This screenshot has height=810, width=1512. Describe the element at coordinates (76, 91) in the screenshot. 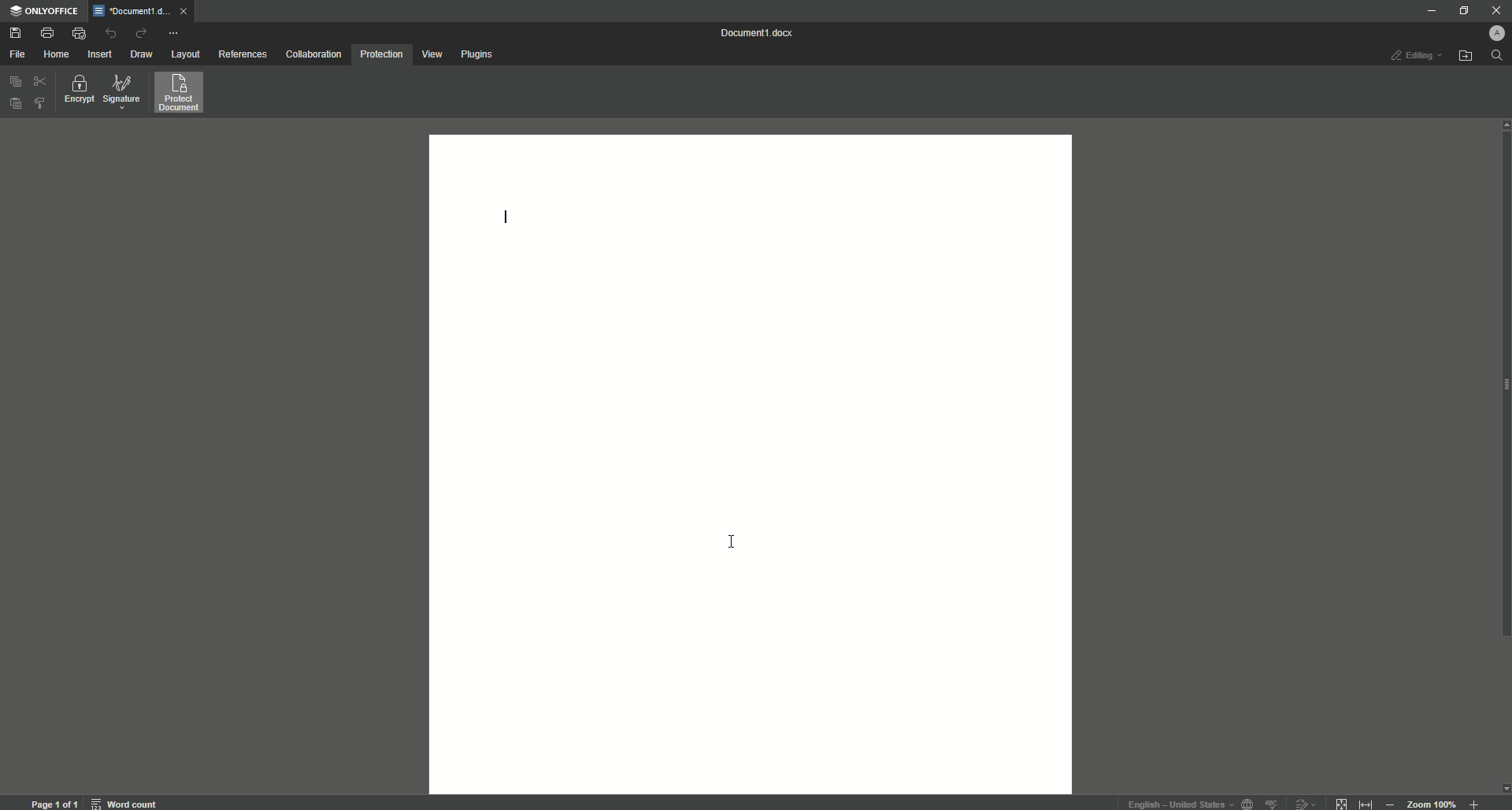

I see `Encrypt` at that location.